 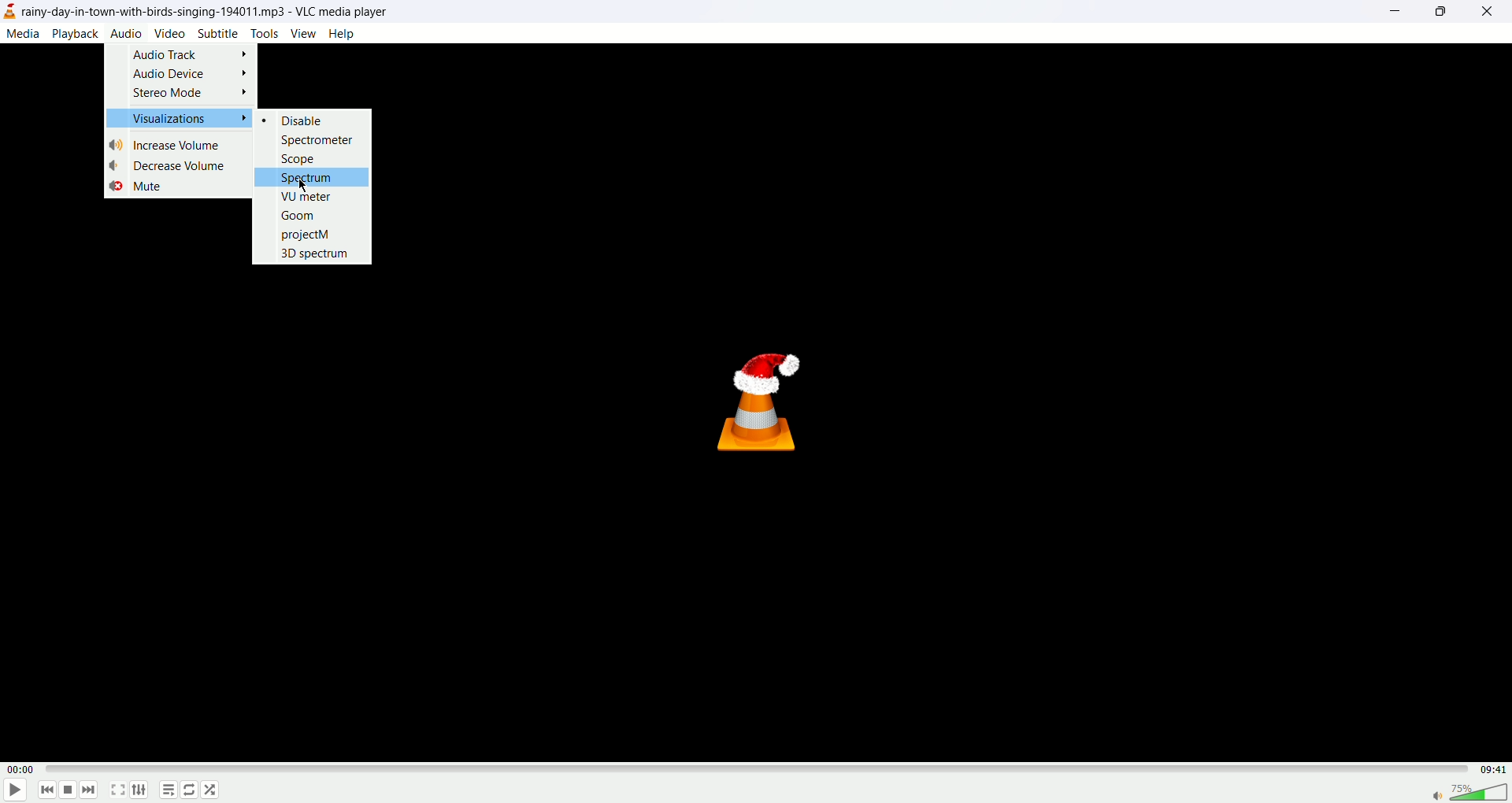 I want to click on extended settings, so click(x=145, y=791).